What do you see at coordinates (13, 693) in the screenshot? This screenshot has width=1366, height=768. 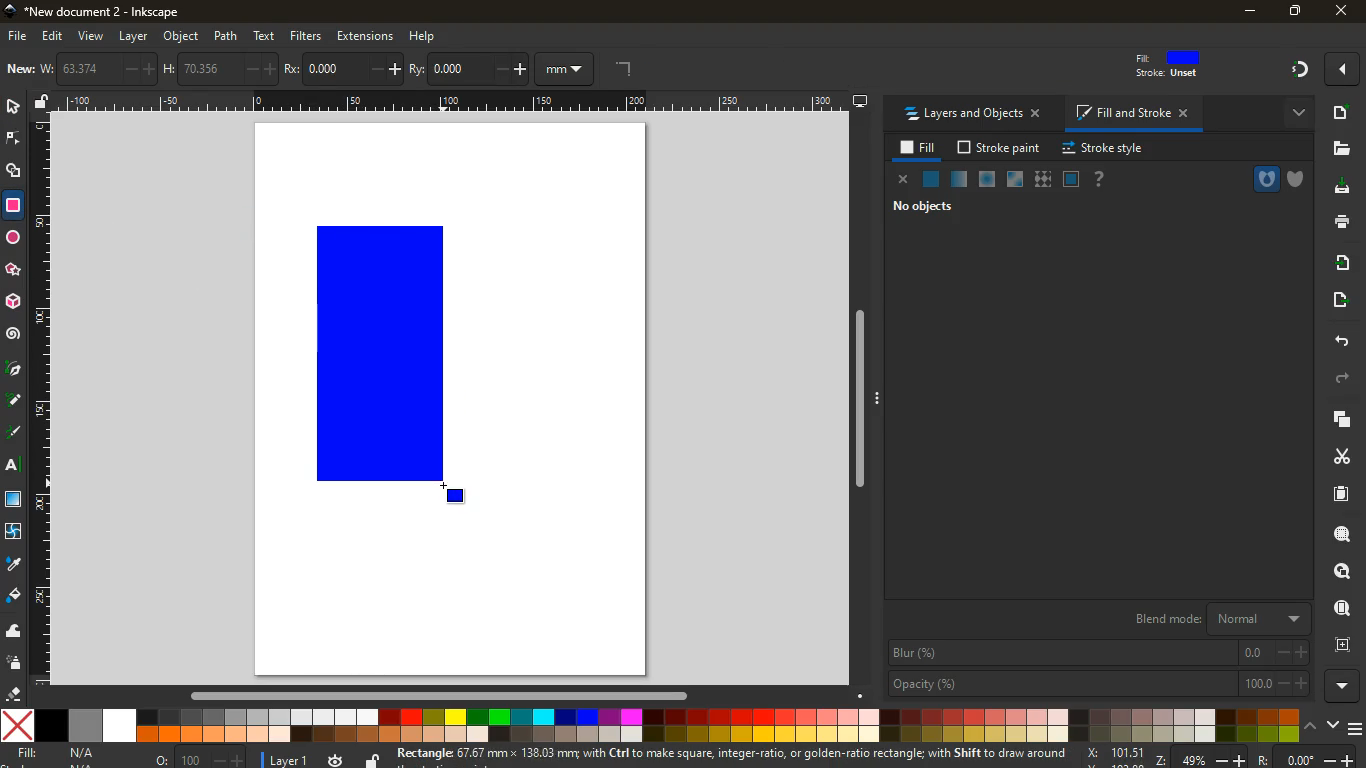 I see `erase` at bounding box center [13, 693].